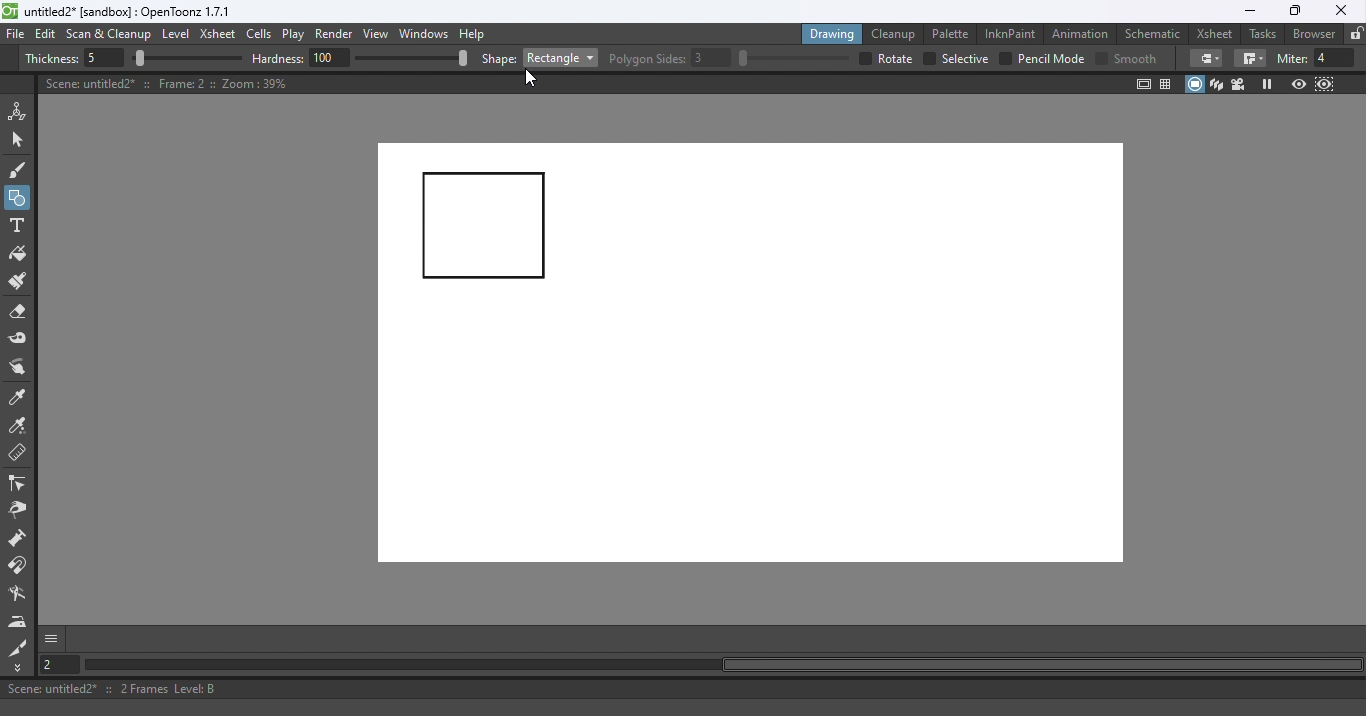 This screenshot has height=716, width=1366. What do you see at coordinates (1264, 34) in the screenshot?
I see `Tasks` at bounding box center [1264, 34].